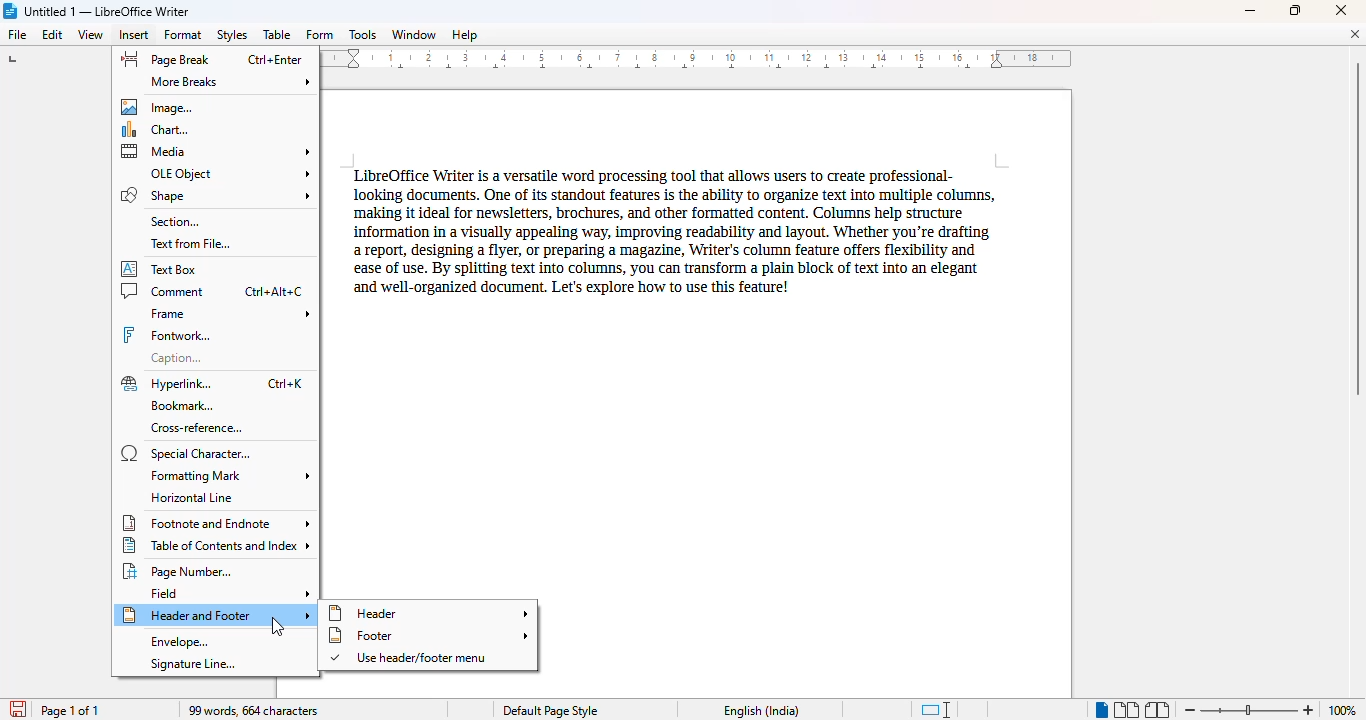  Describe the element at coordinates (1295, 9) in the screenshot. I see `maximize` at that location.